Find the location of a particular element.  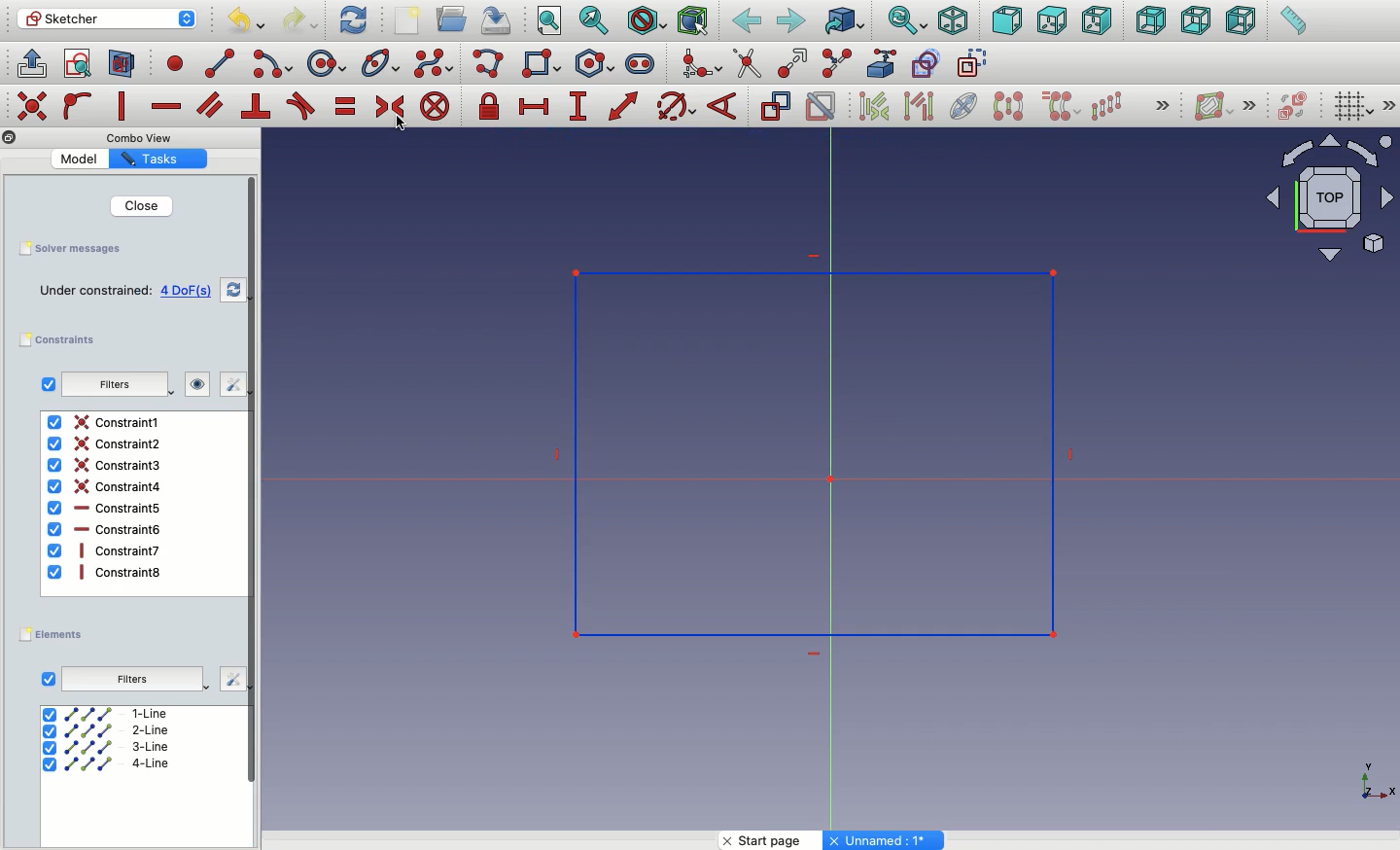

Toggle reference constraint is located at coordinates (775, 105).